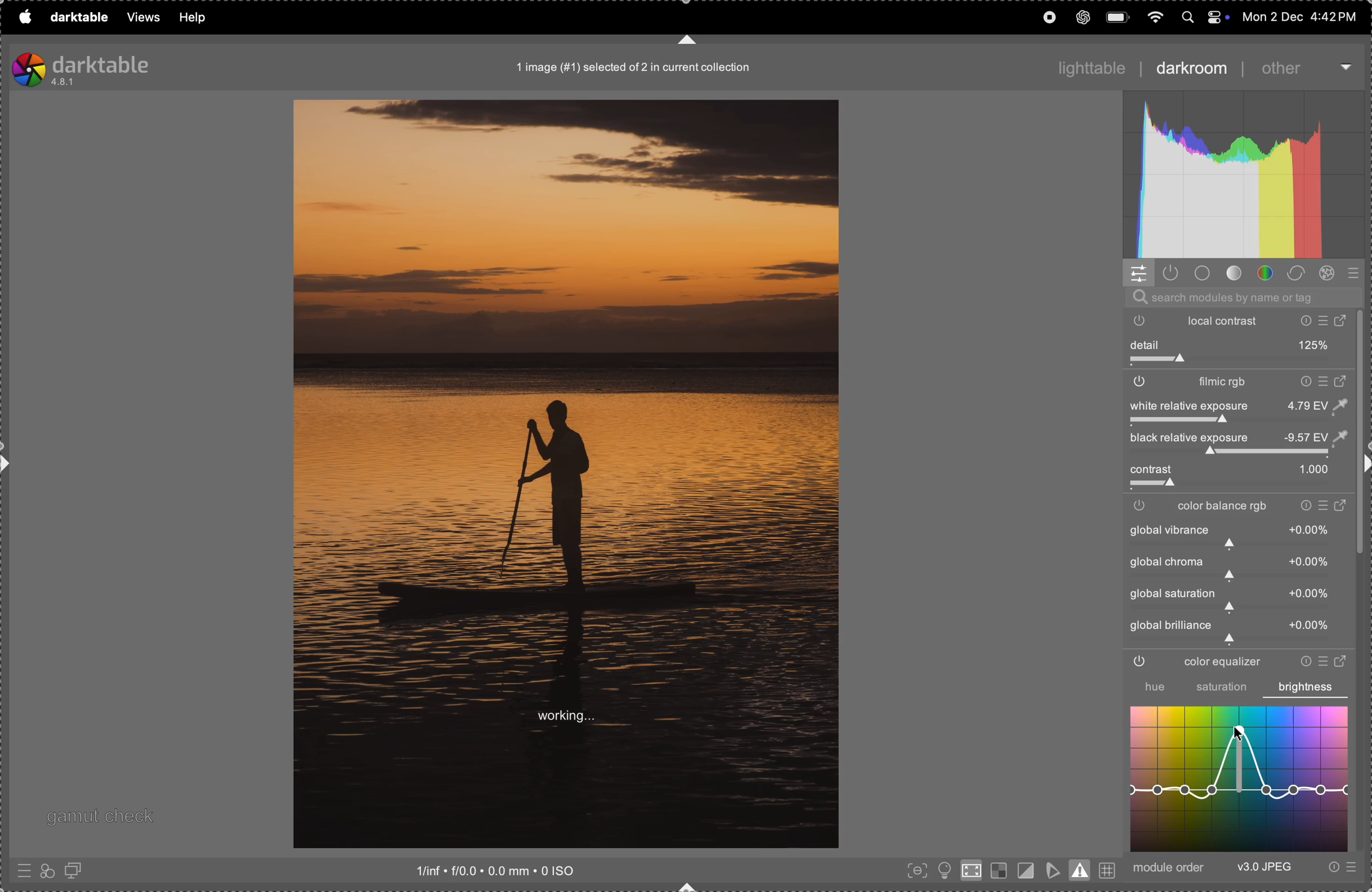 This screenshot has height=892, width=1372. Describe the element at coordinates (1306, 687) in the screenshot. I see `brightness` at that location.